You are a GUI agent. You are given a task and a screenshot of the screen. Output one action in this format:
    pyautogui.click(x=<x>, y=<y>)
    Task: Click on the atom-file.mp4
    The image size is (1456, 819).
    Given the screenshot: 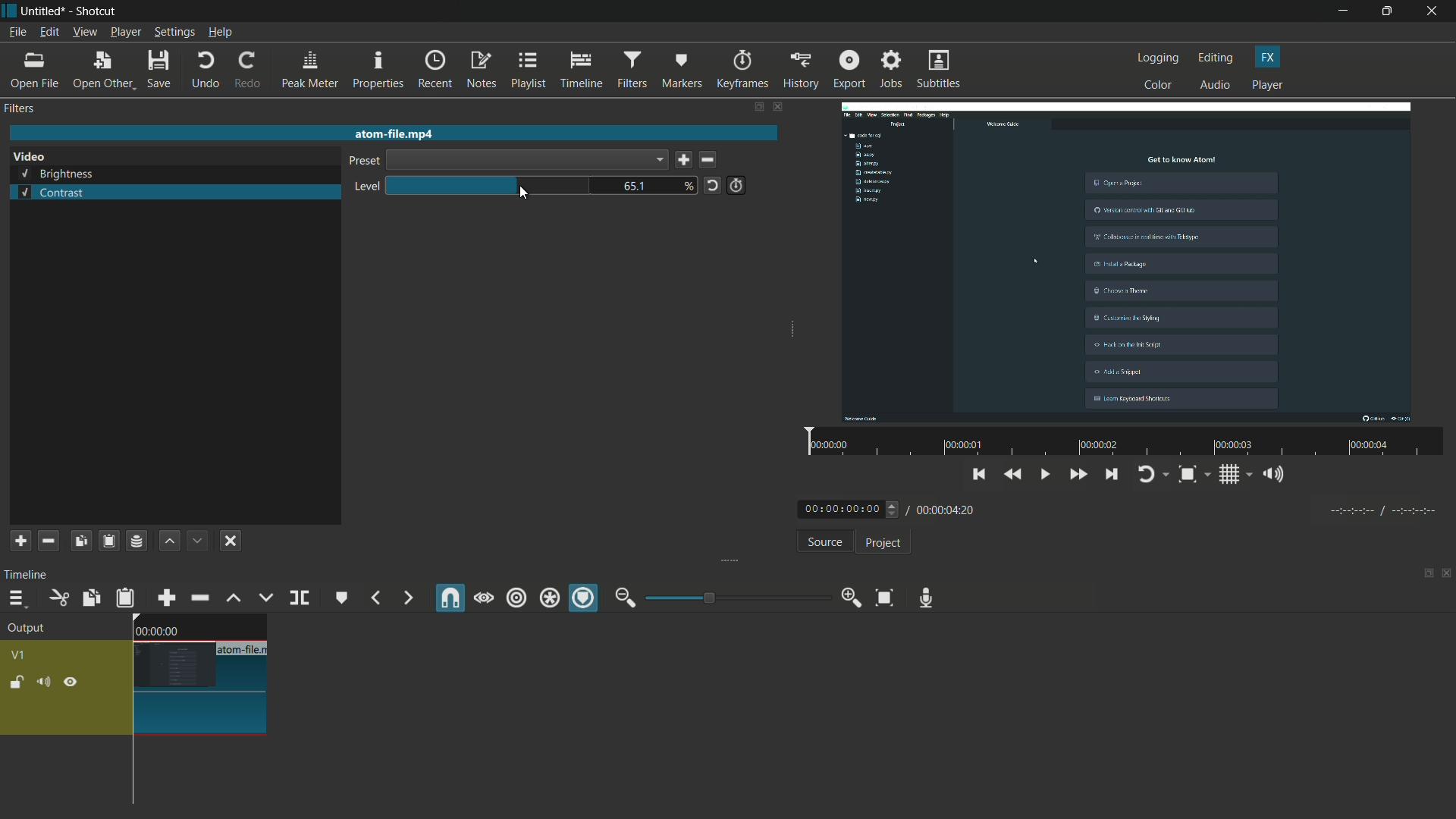 What is the action you would take?
    pyautogui.click(x=393, y=133)
    